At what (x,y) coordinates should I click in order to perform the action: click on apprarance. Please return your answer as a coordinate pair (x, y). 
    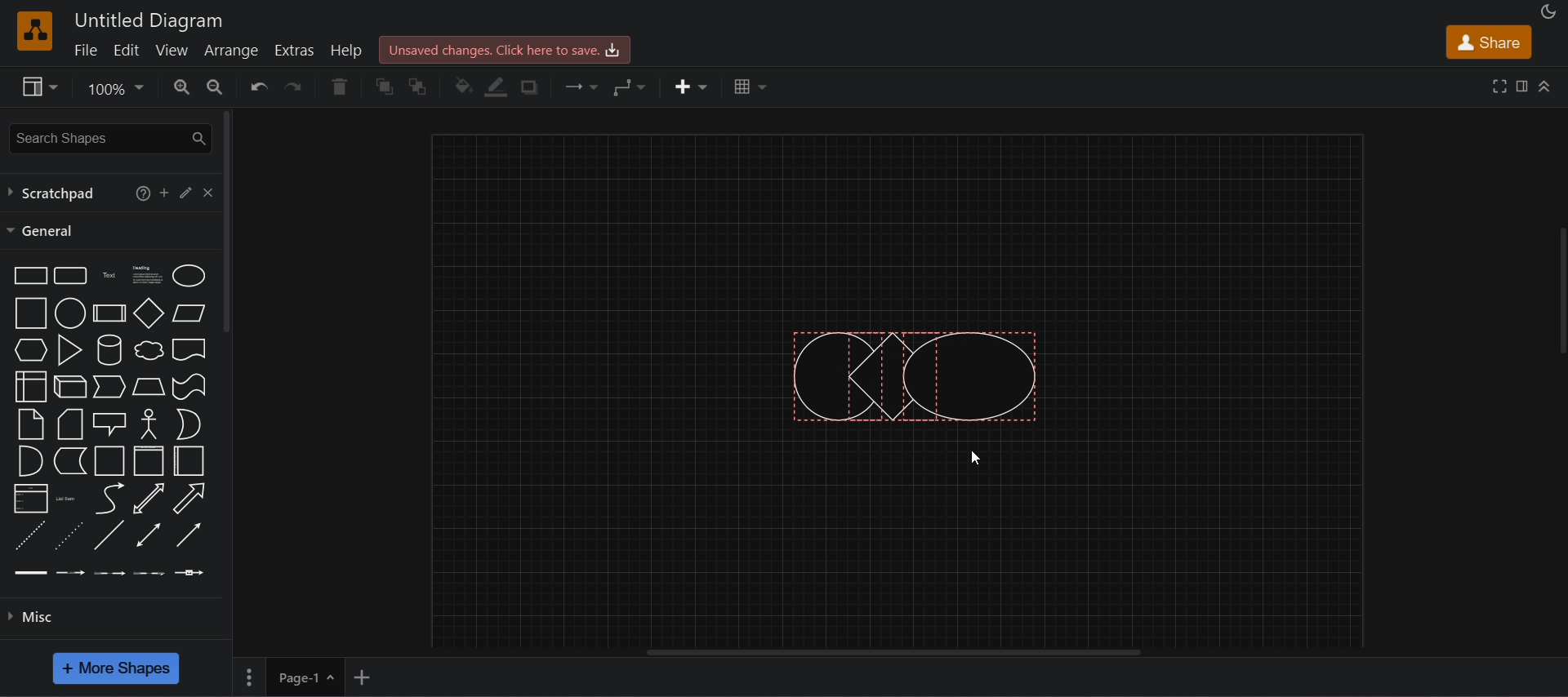
    Looking at the image, I should click on (1548, 12).